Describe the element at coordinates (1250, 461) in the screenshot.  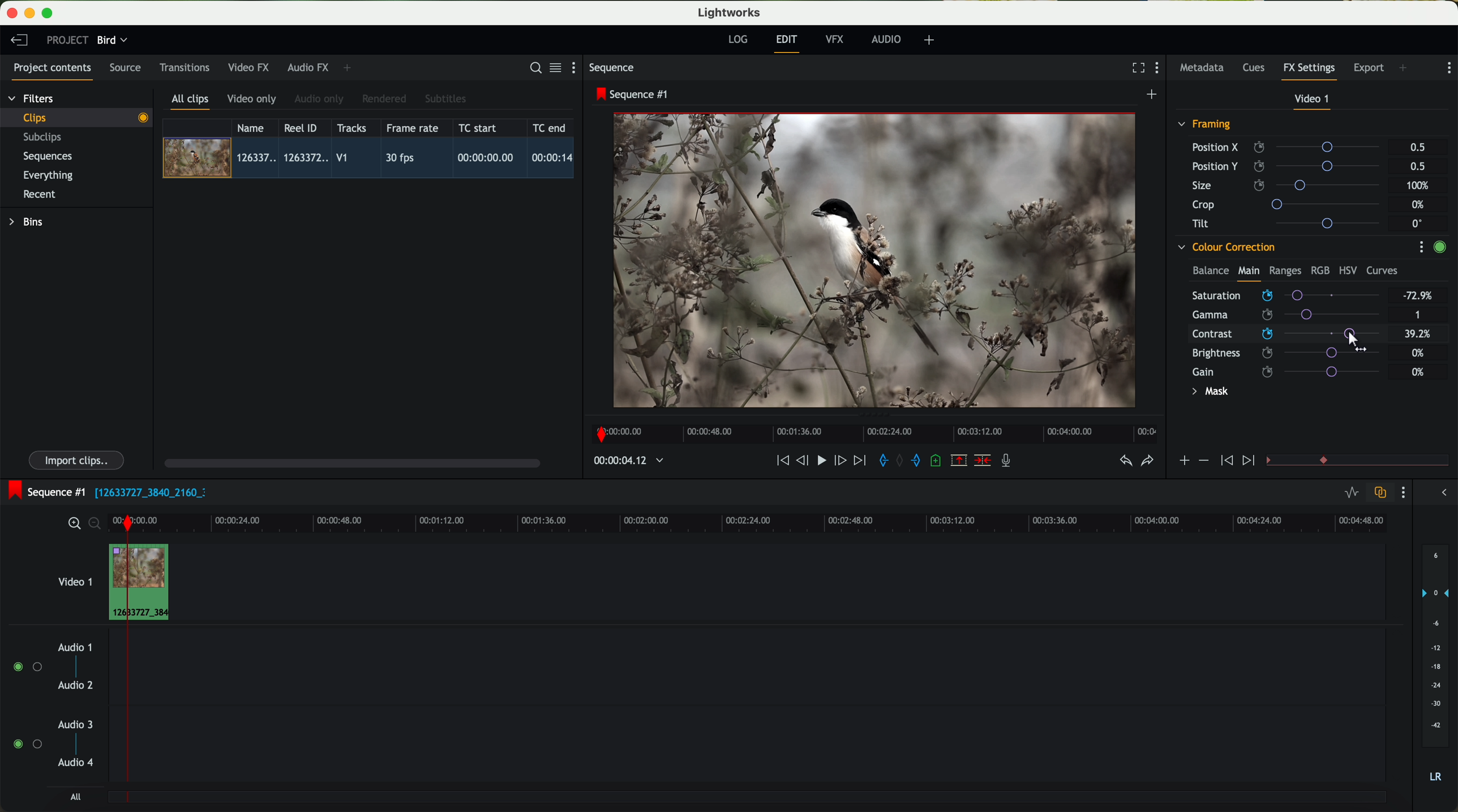
I see `icon` at that location.